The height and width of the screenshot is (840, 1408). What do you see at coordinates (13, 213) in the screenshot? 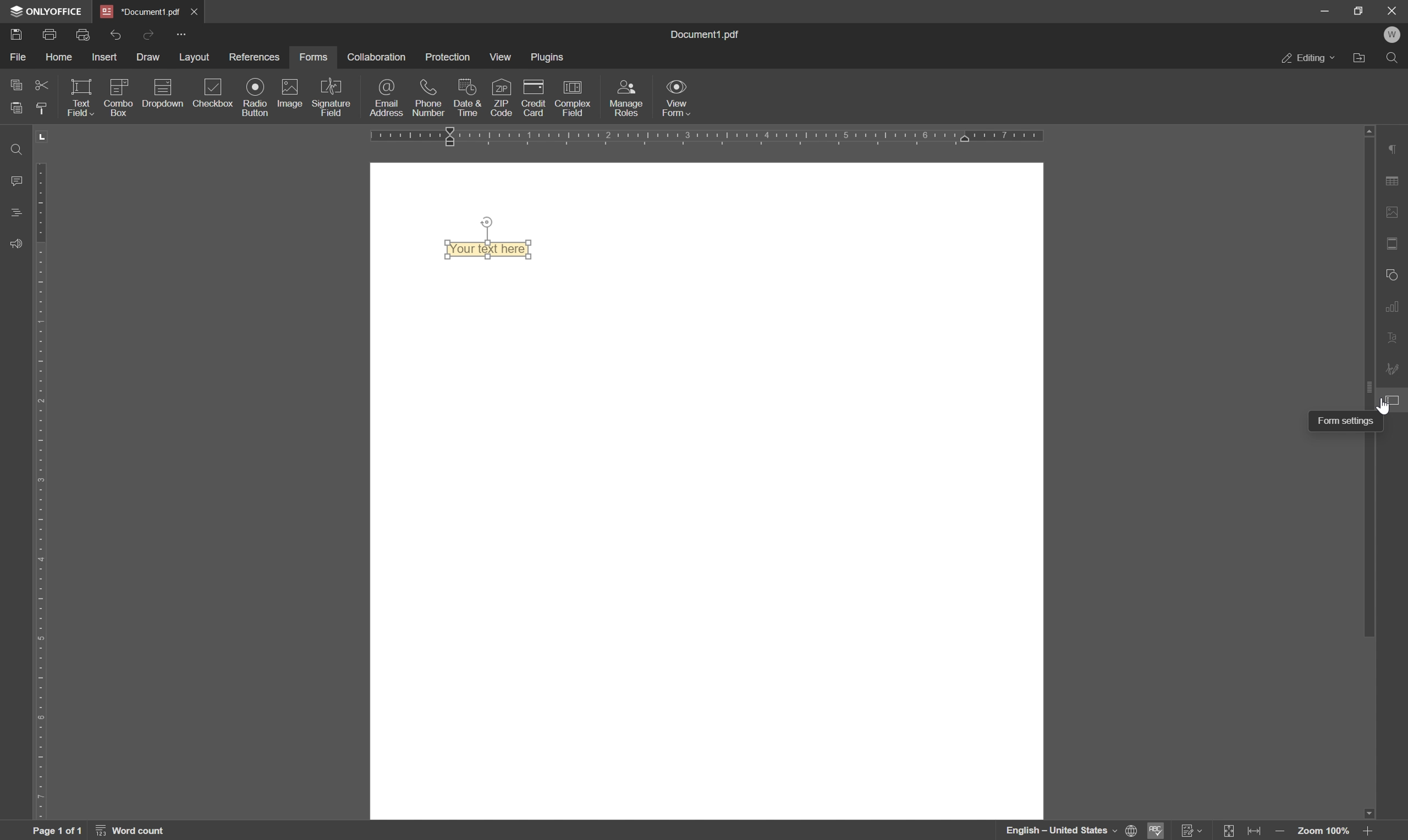
I see `headings` at bounding box center [13, 213].